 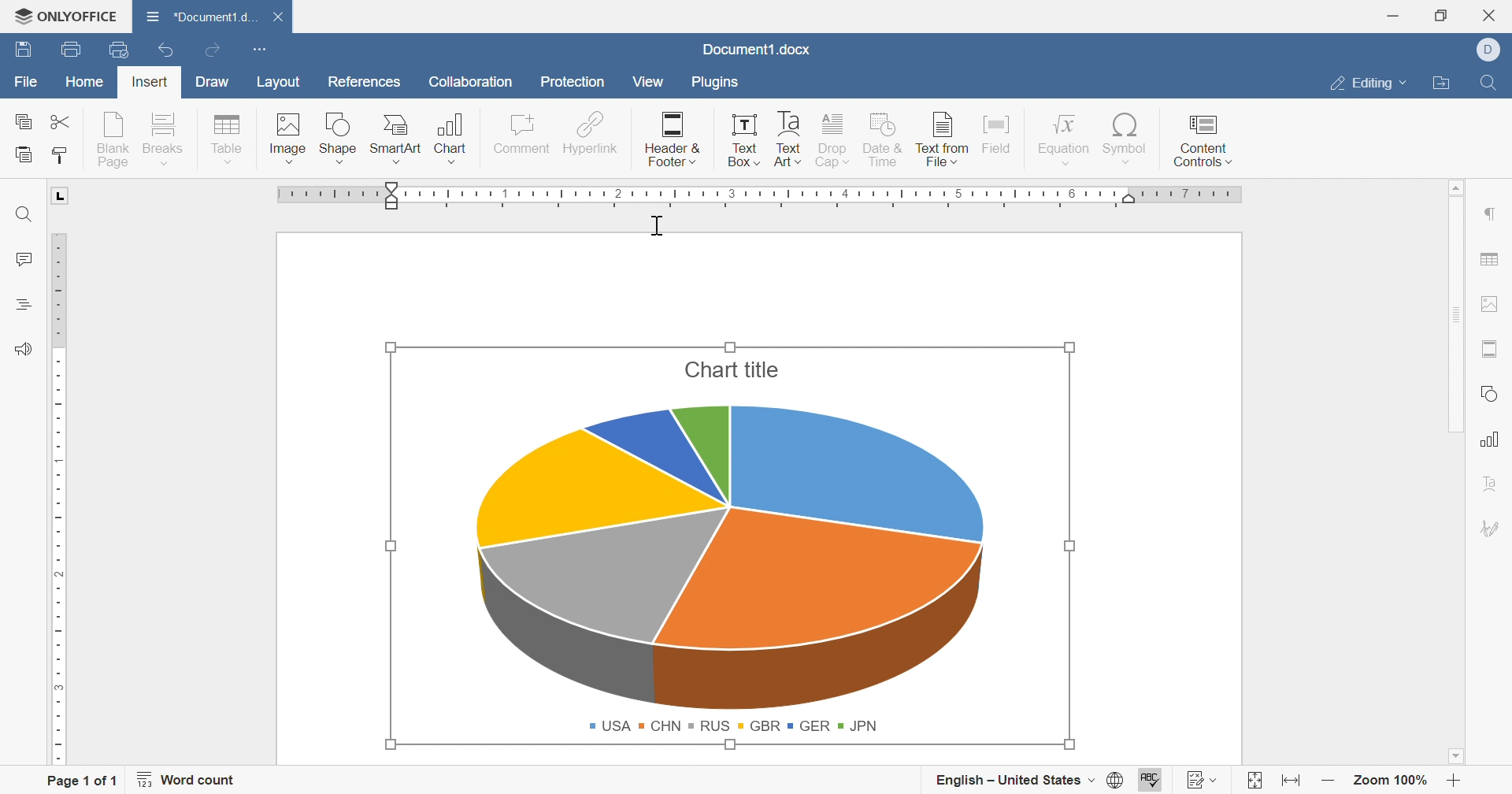 I want to click on File, so click(x=23, y=81).